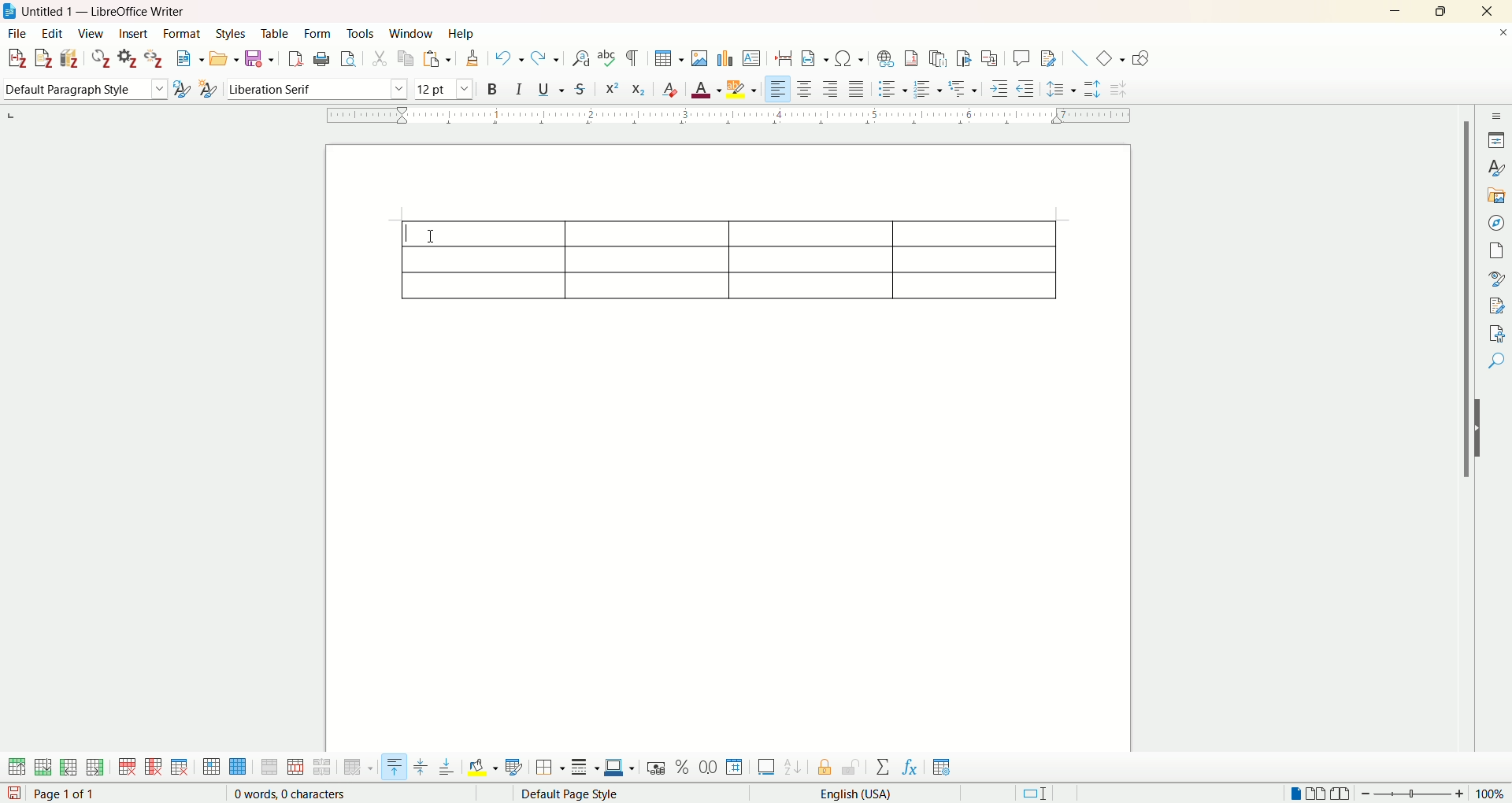 Image resolution: width=1512 pixels, height=803 pixels. Describe the element at coordinates (611, 89) in the screenshot. I see `superscript` at that location.